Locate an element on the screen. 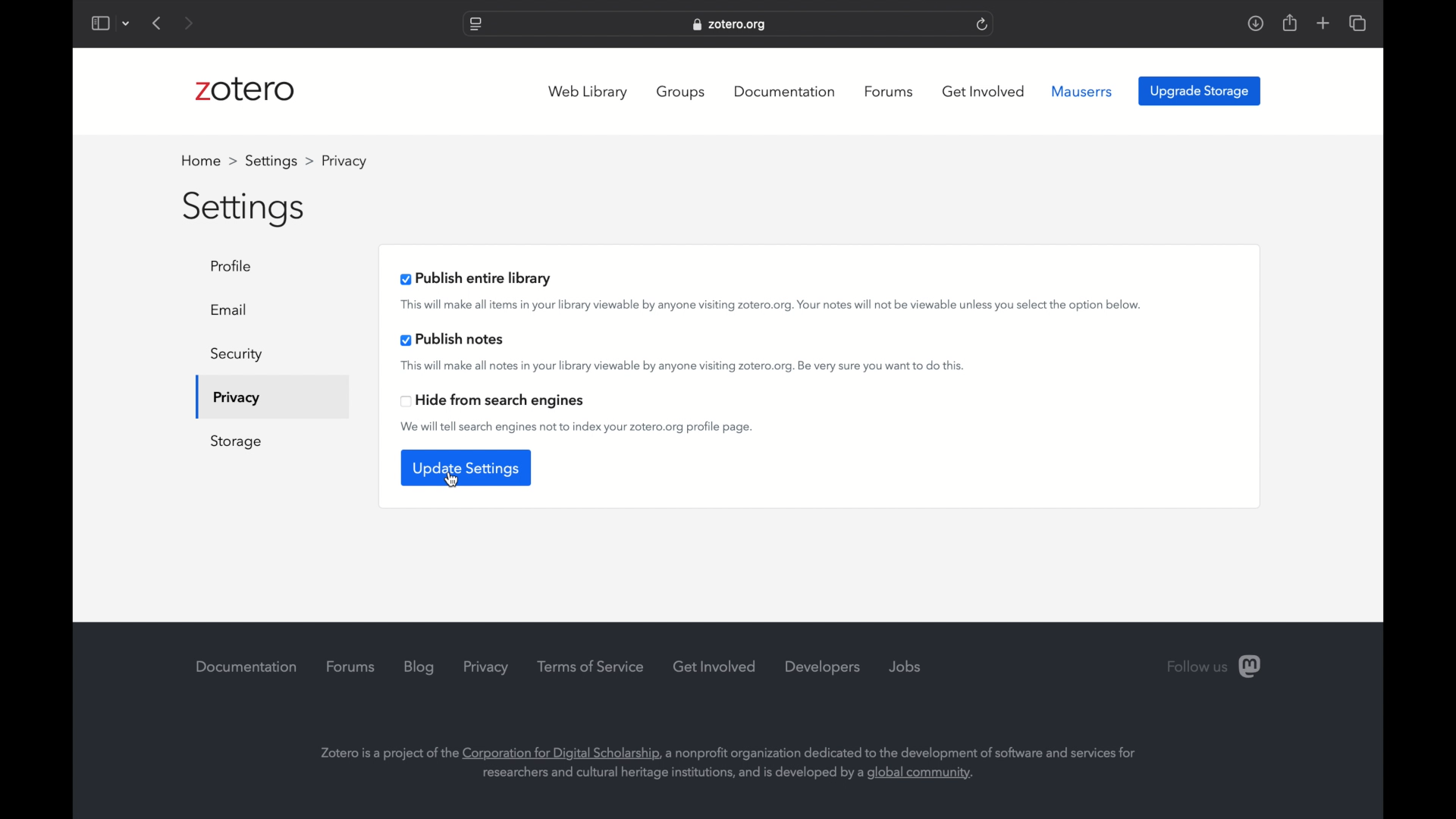 The width and height of the screenshot is (1456, 819). follow us is located at coordinates (1214, 667).